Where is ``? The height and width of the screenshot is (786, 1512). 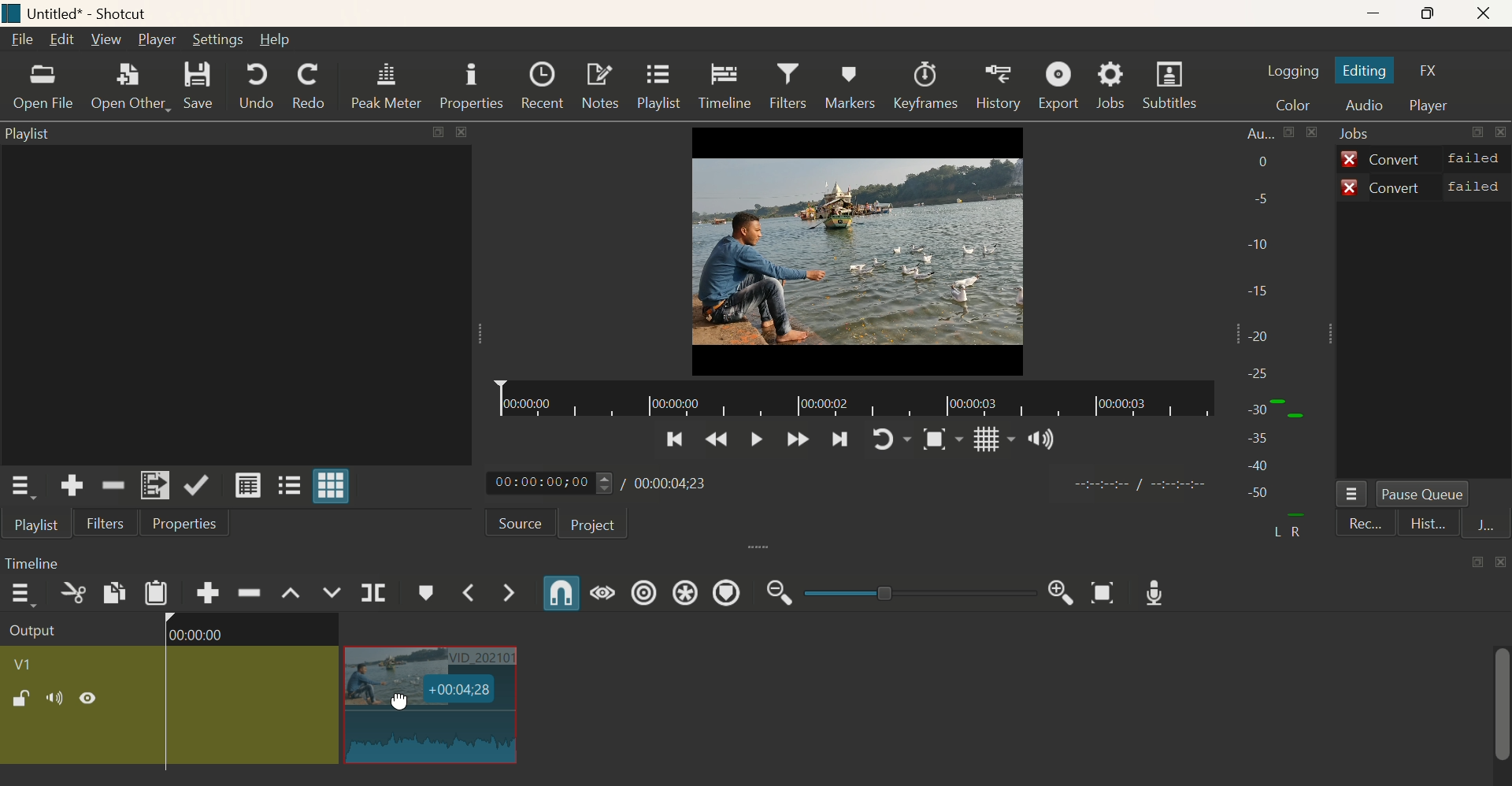
 is located at coordinates (603, 595).